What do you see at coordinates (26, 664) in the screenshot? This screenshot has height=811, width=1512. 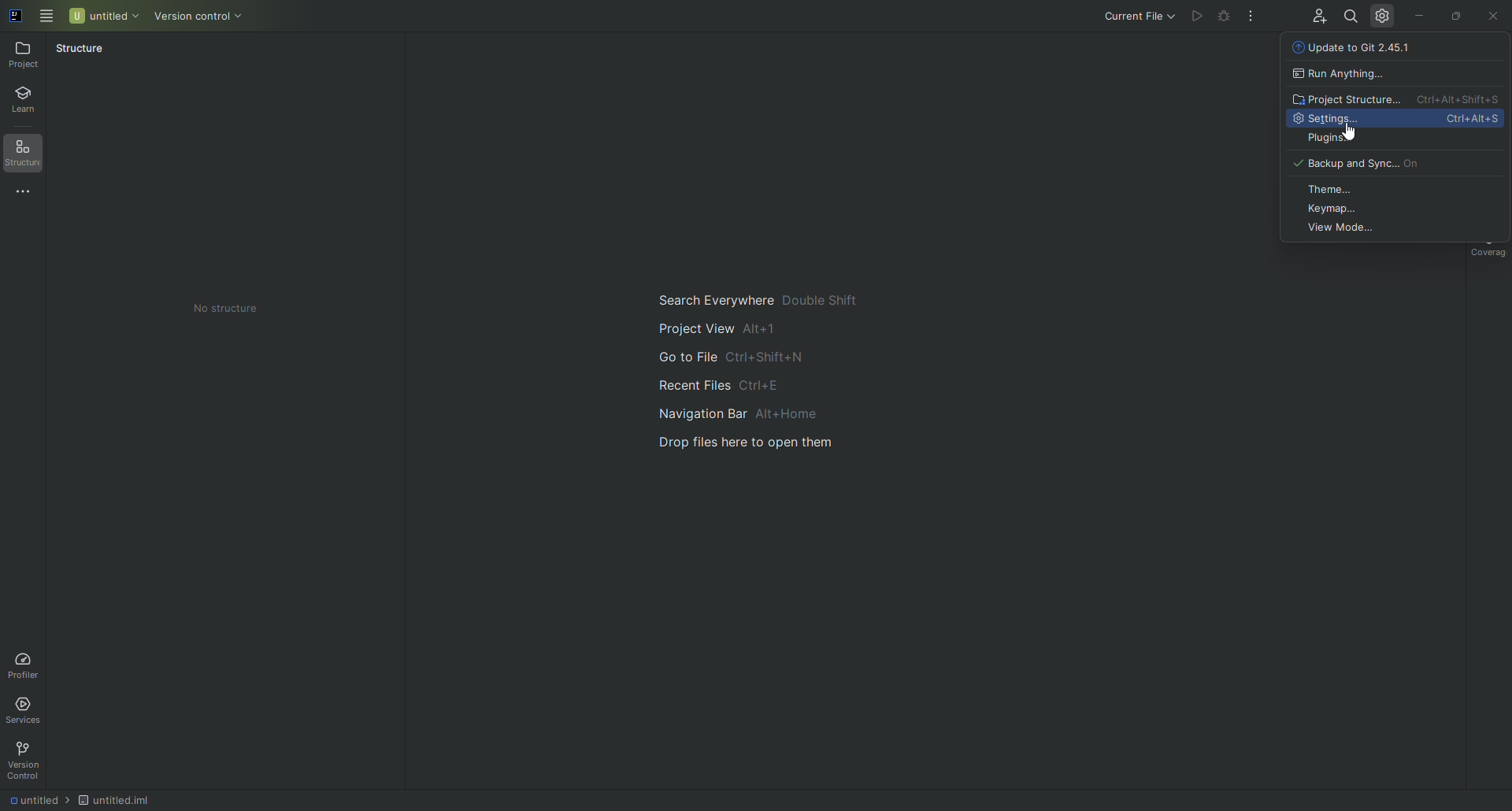 I see `Profiler` at bounding box center [26, 664].